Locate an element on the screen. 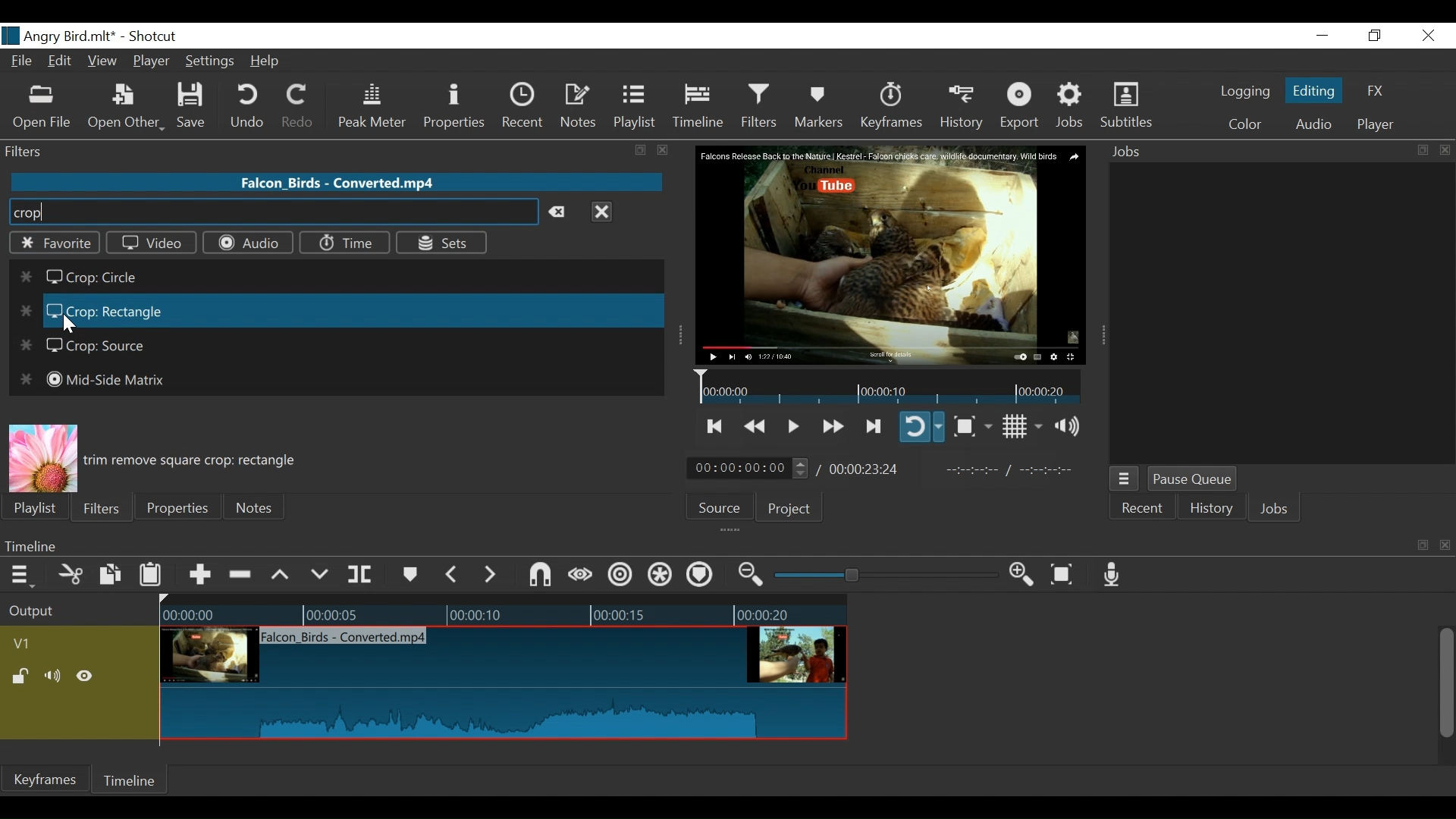 This screenshot has width=1456, height=819. Subtitles is located at coordinates (1126, 105).